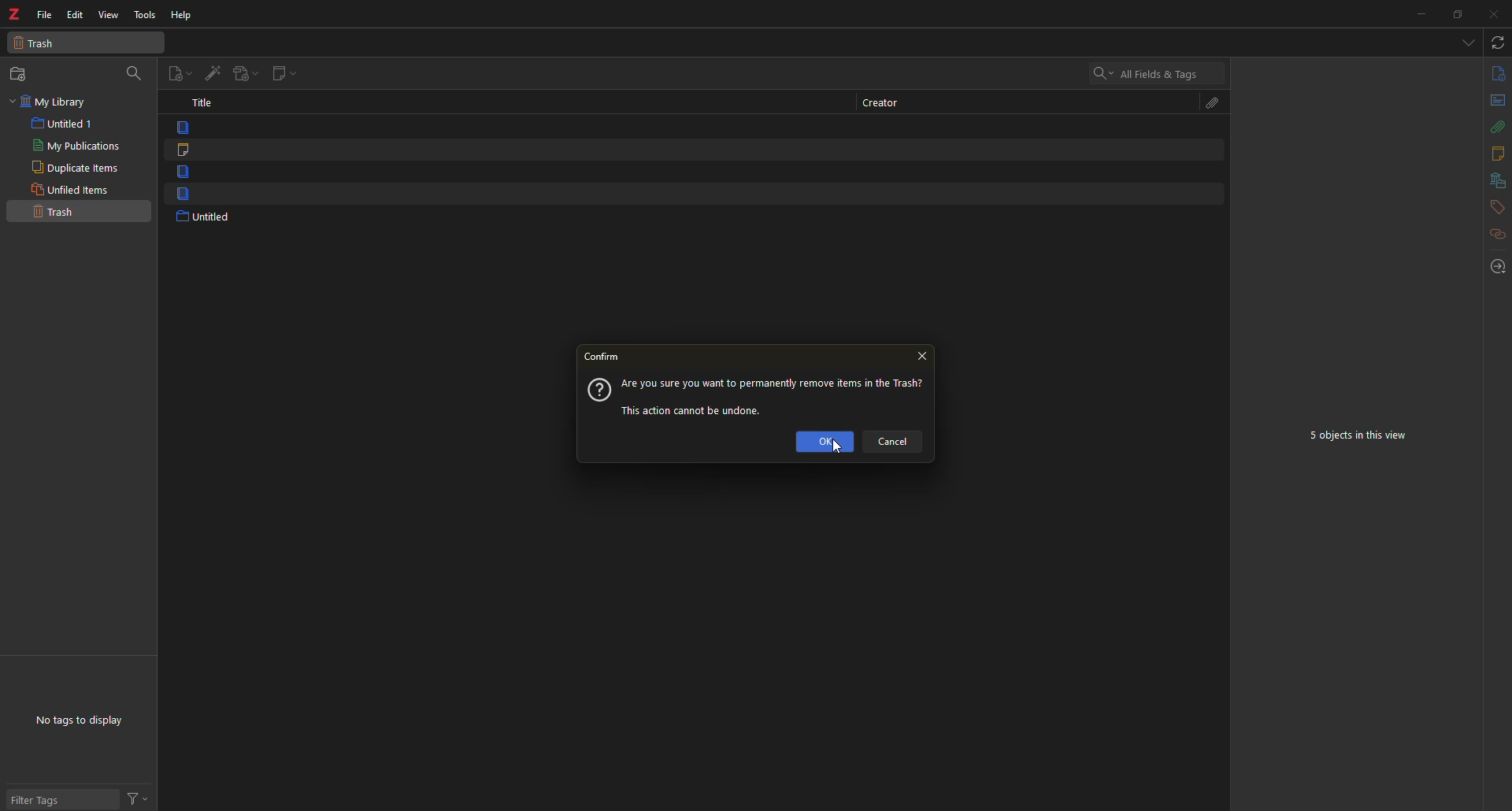  I want to click on untitled 1, so click(65, 124).